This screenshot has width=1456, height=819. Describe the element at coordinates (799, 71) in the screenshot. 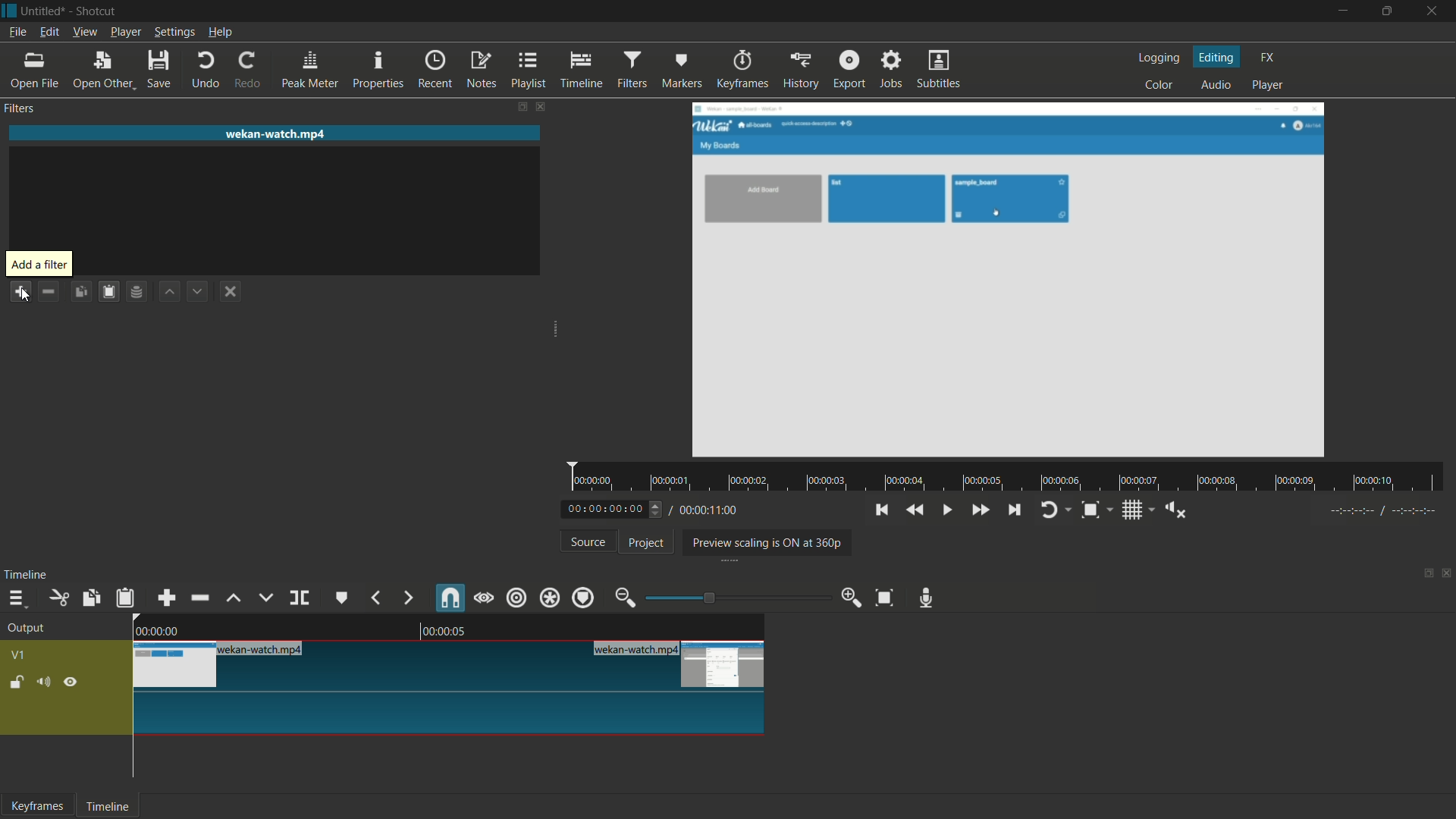

I see `history` at that location.